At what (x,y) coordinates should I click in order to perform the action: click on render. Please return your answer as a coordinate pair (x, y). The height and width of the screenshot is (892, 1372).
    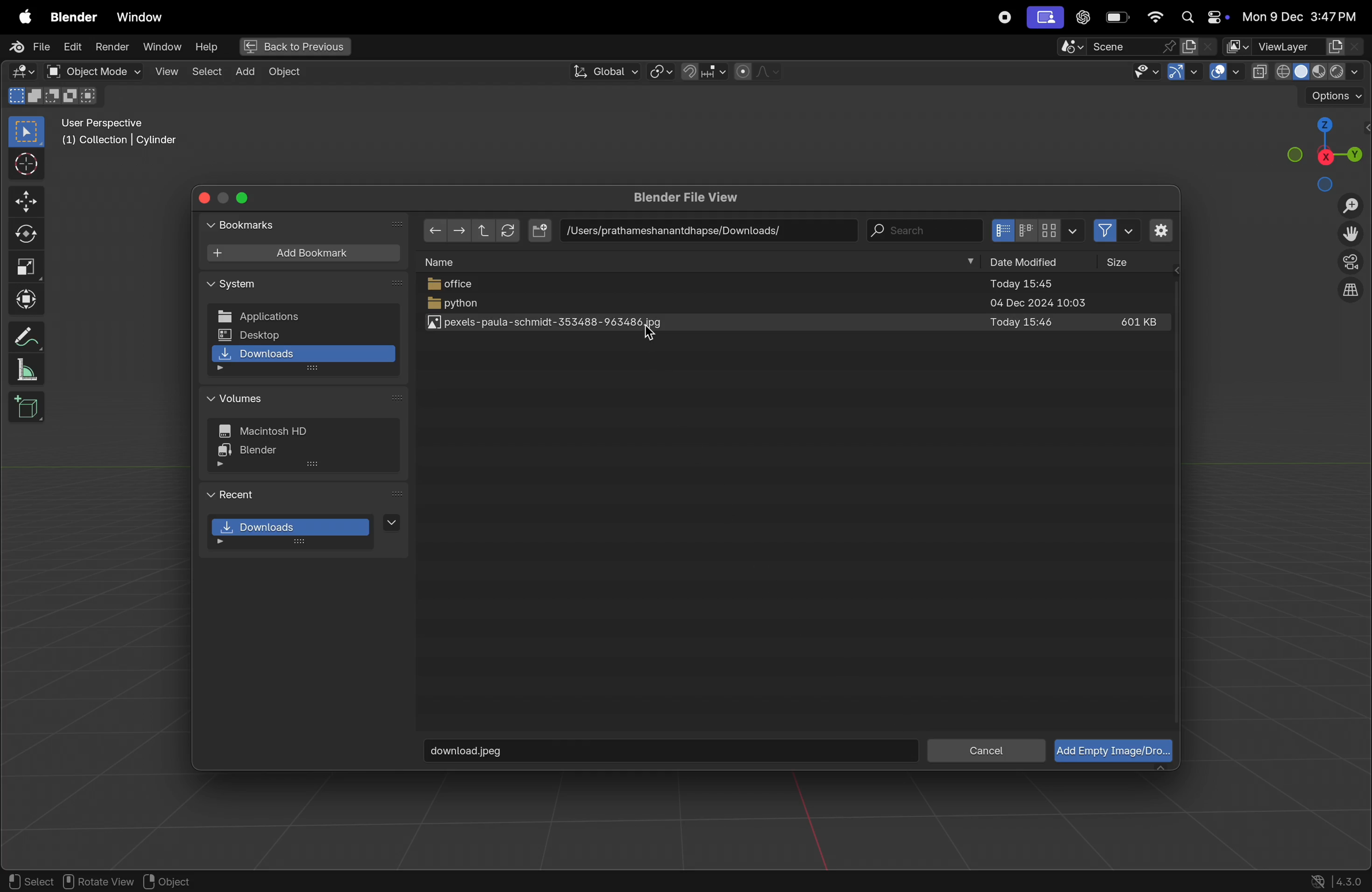
    Looking at the image, I should click on (112, 48).